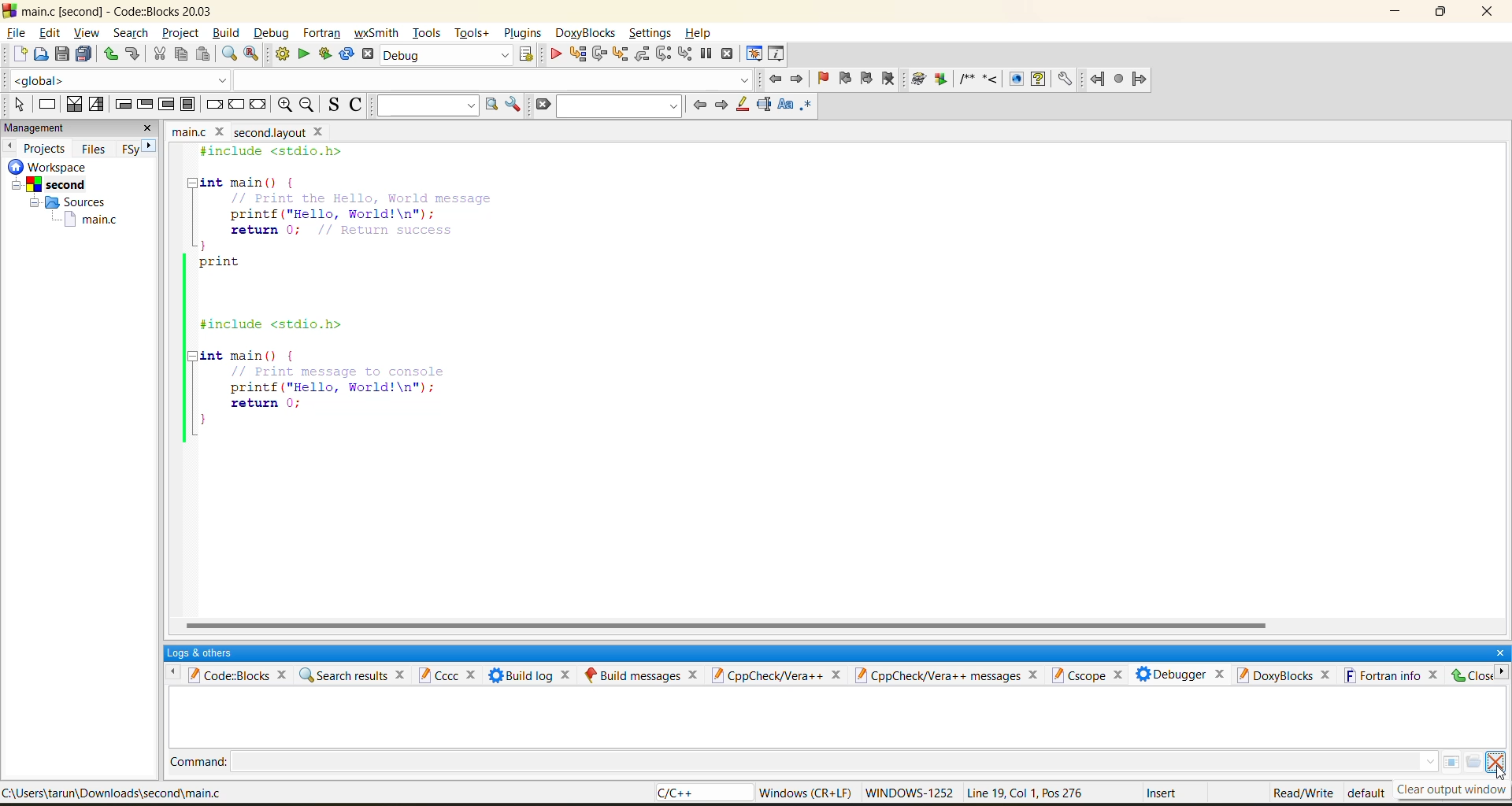 The height and width of the screenshot is (806, 1512). I want to click on projects, so click(47, 147).